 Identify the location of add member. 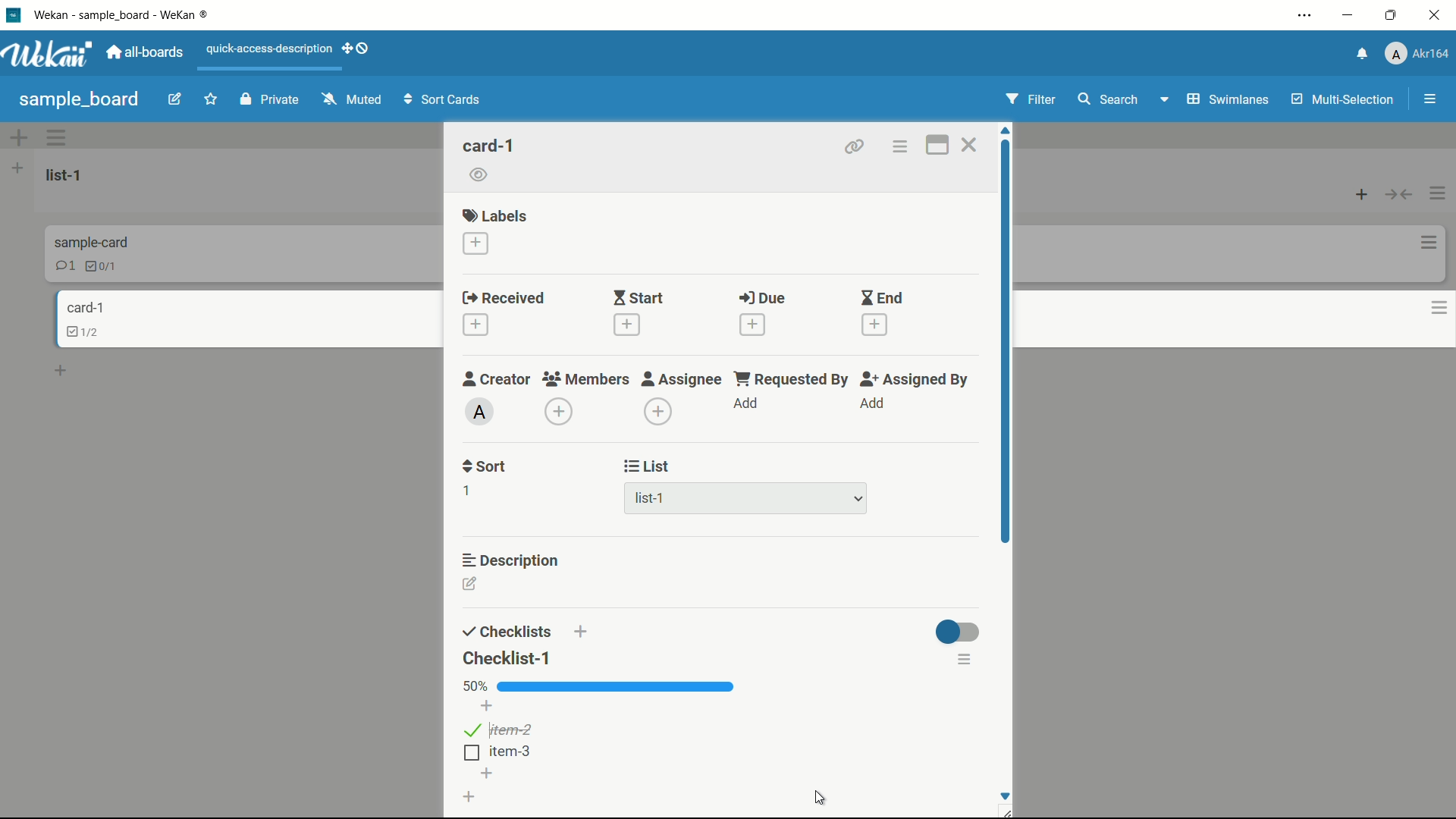
(558, 411).